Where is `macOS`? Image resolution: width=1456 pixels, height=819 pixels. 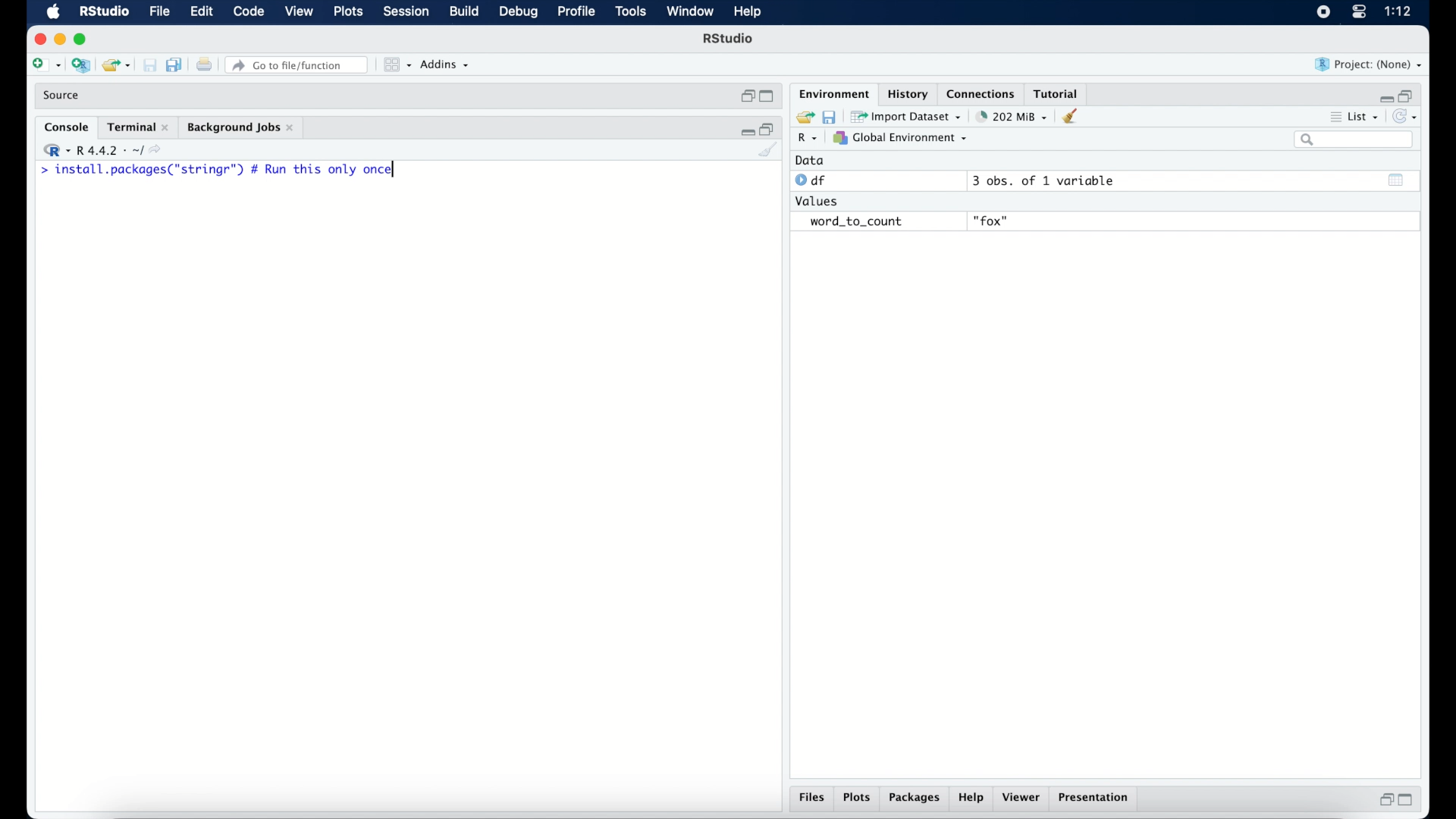 macOS is located at coordinates (53, 12).